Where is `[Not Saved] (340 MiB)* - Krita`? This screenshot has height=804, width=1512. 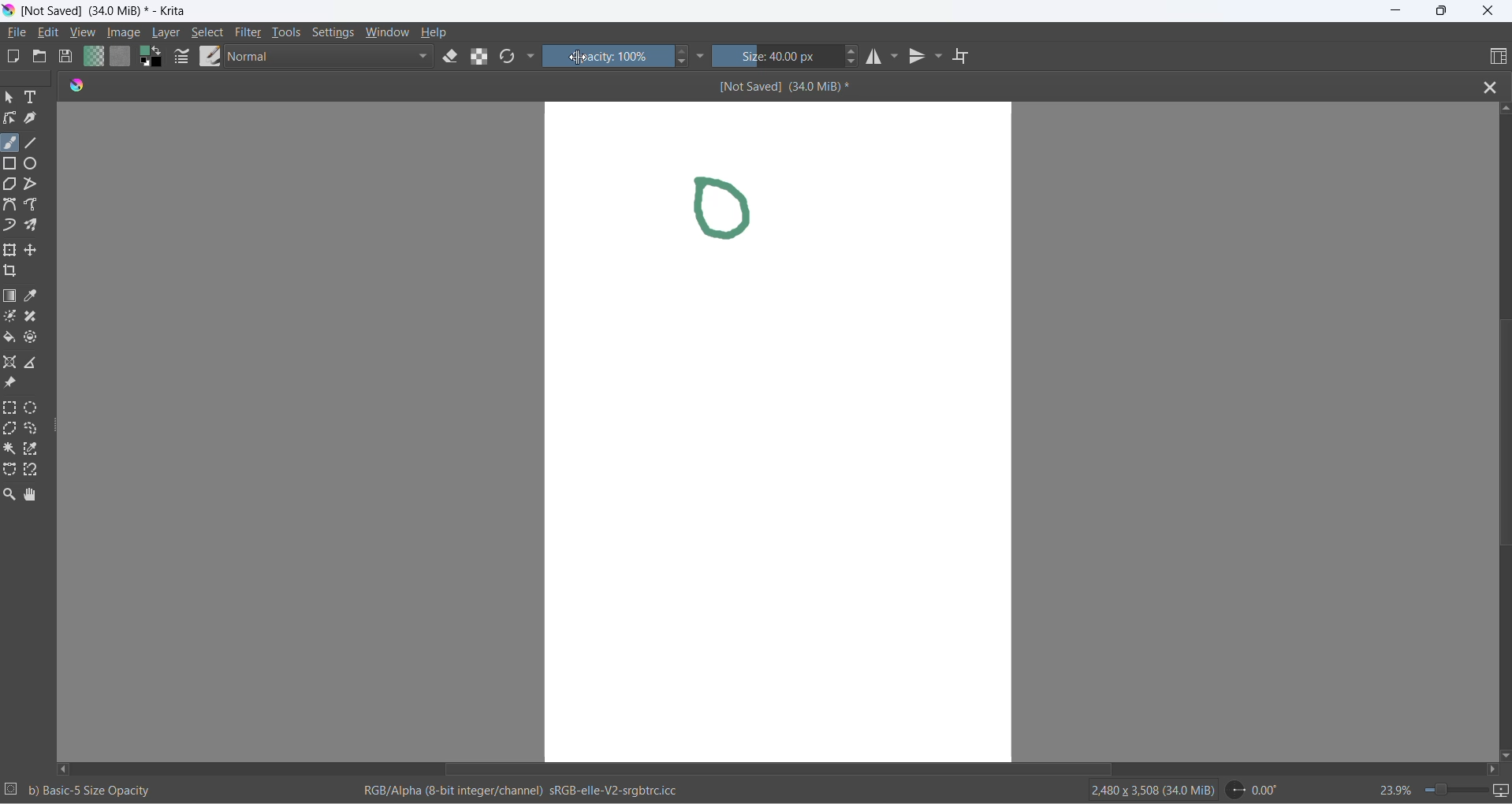 [Not Saved] (340 MiB)* - Krita is located at coordinates (111, 11).